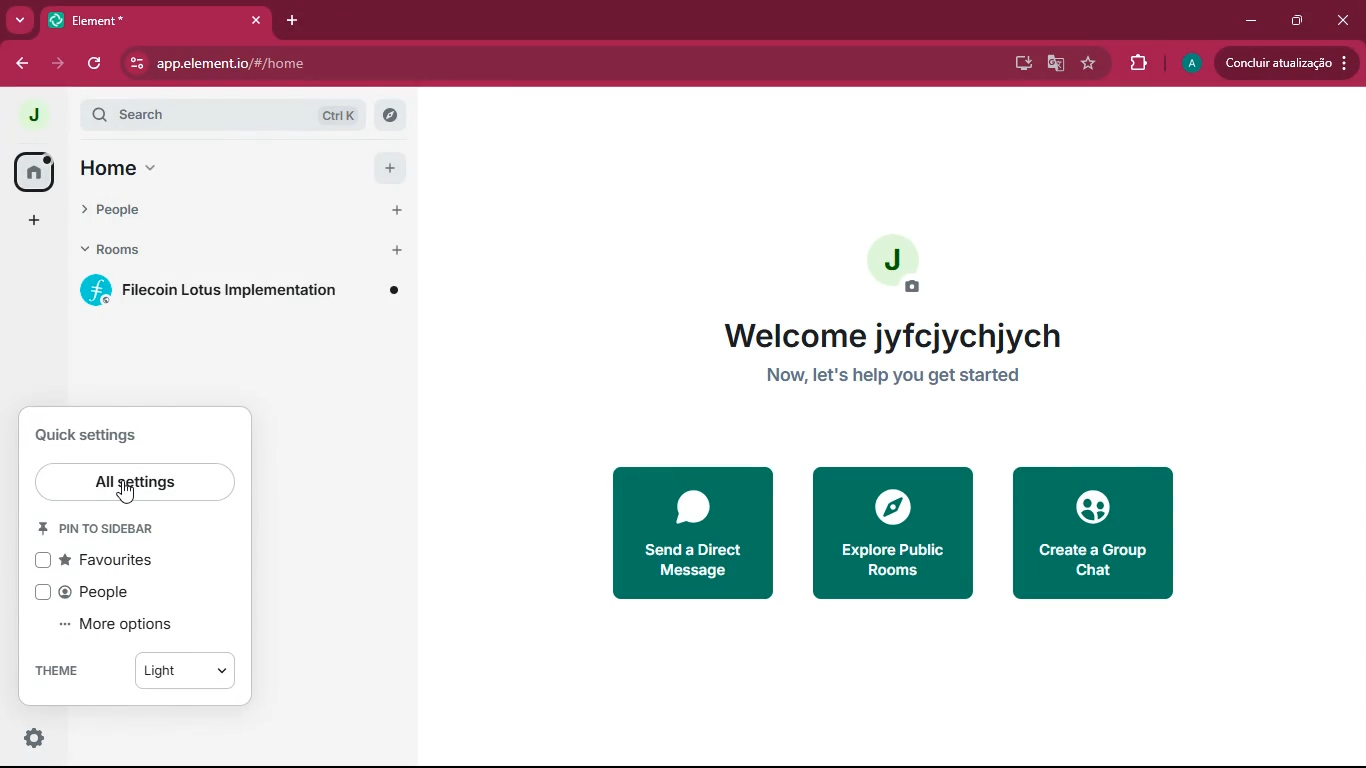  I want to click on conduir atualizacao, so click(1285, 61).